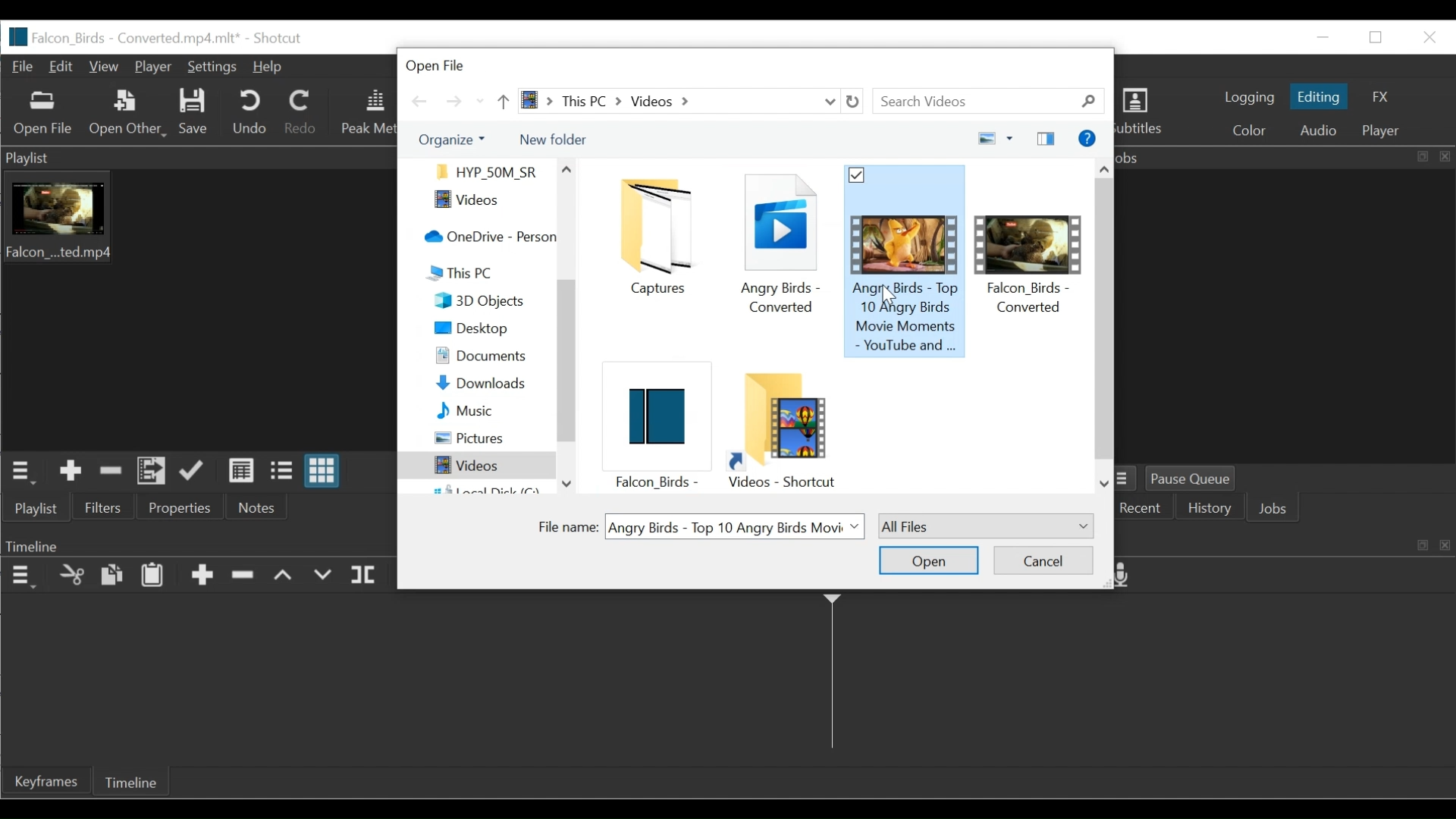  I want to click on View as icons, so click(325, 471).